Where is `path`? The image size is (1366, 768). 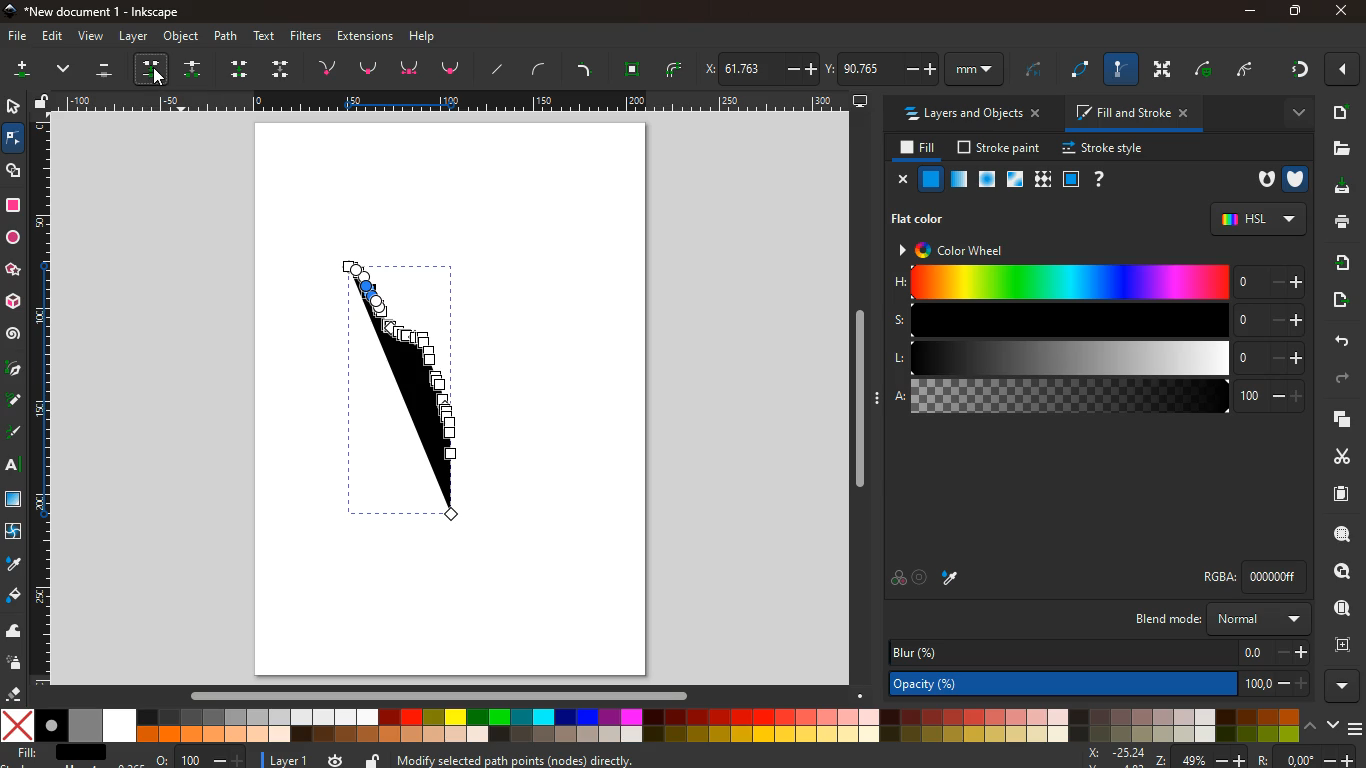 path is located at coordinates (228, 35).